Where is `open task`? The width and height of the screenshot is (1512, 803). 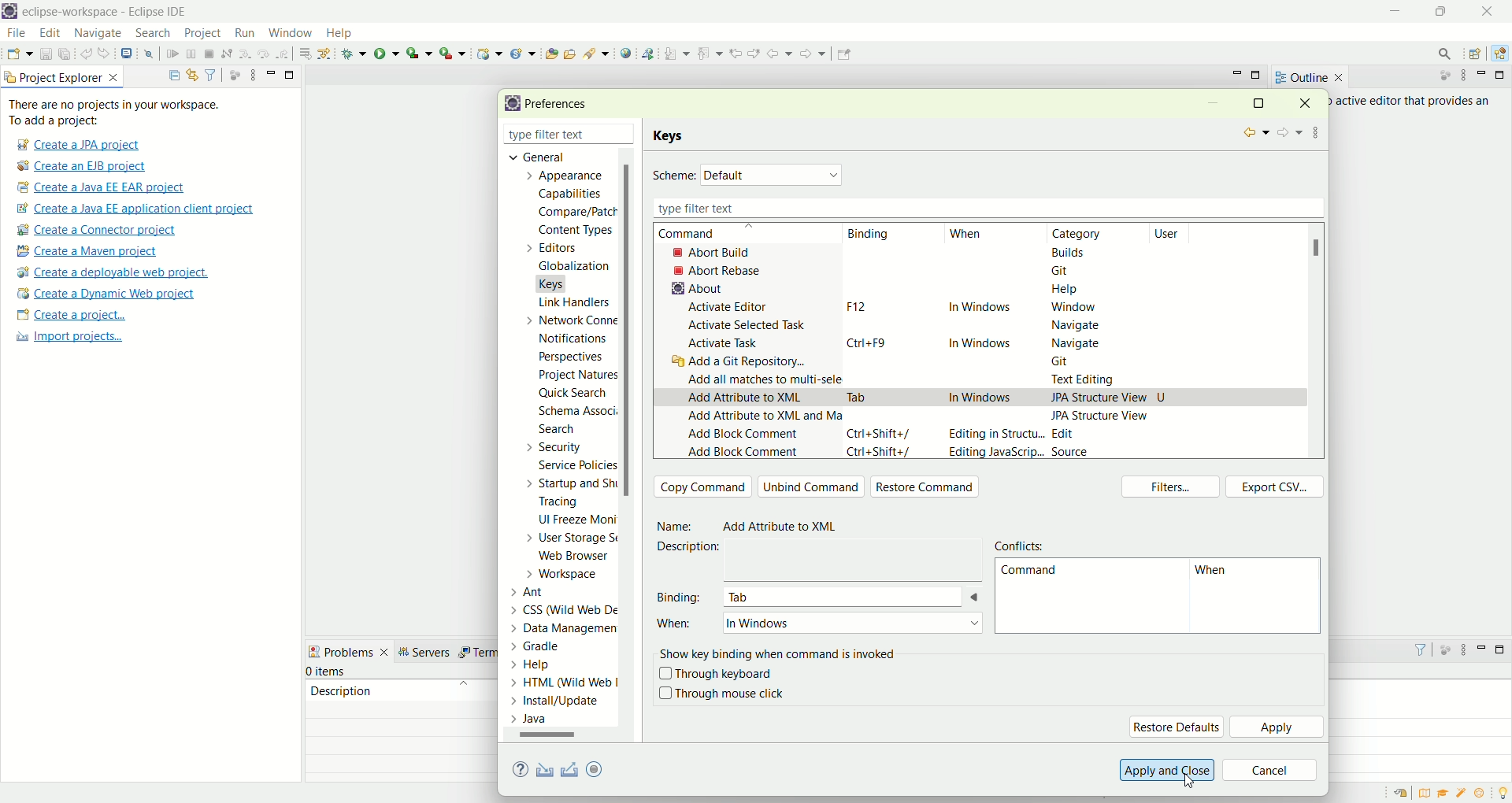
open task is located at coordinates (569, 52).